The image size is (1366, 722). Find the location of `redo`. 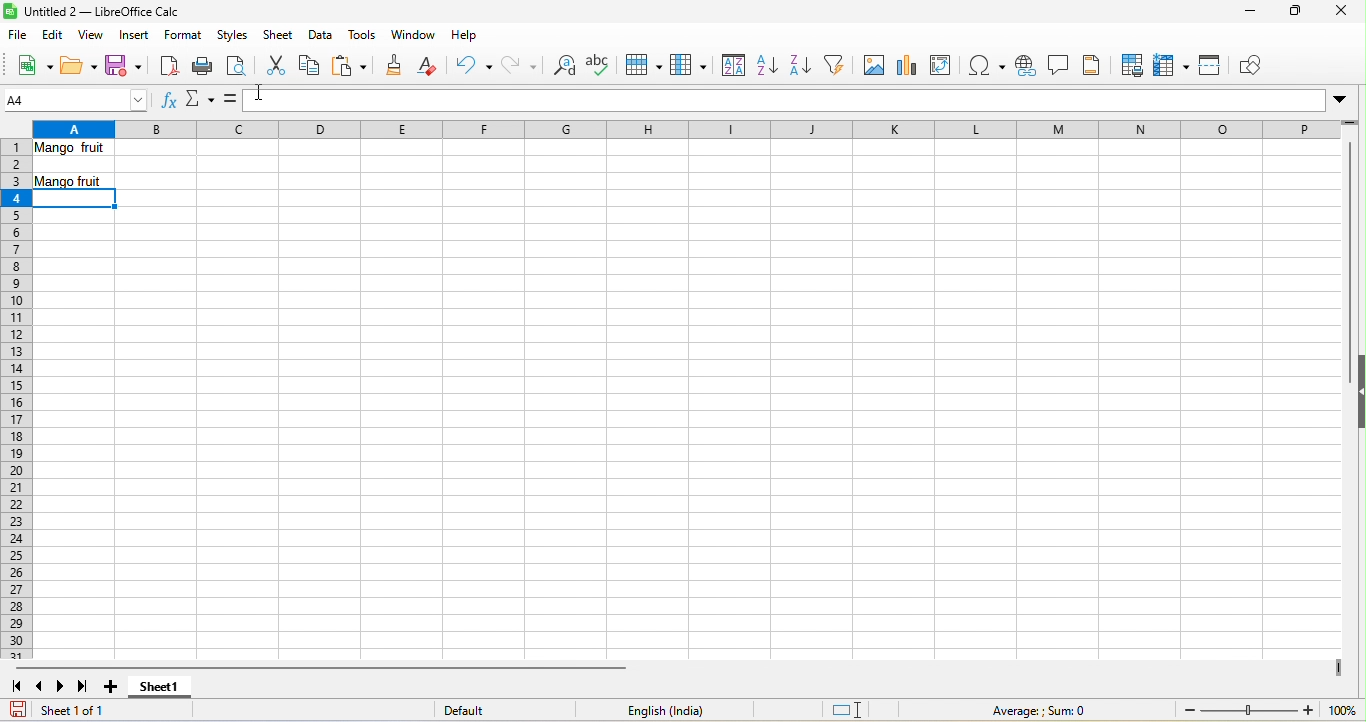

redo is located at coordinates (520, 65).